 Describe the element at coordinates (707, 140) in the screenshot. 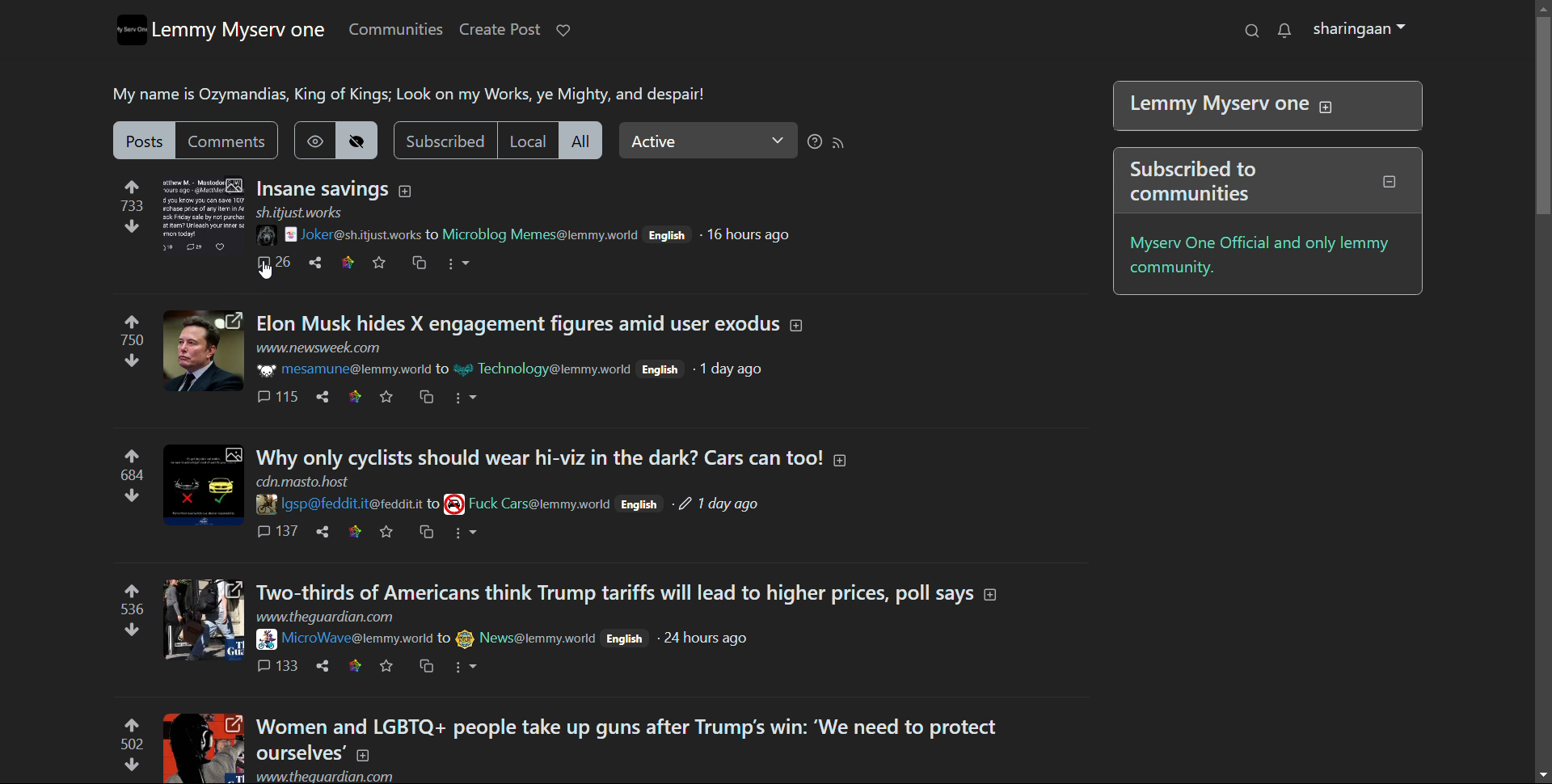

I see `select relevance` at that location.